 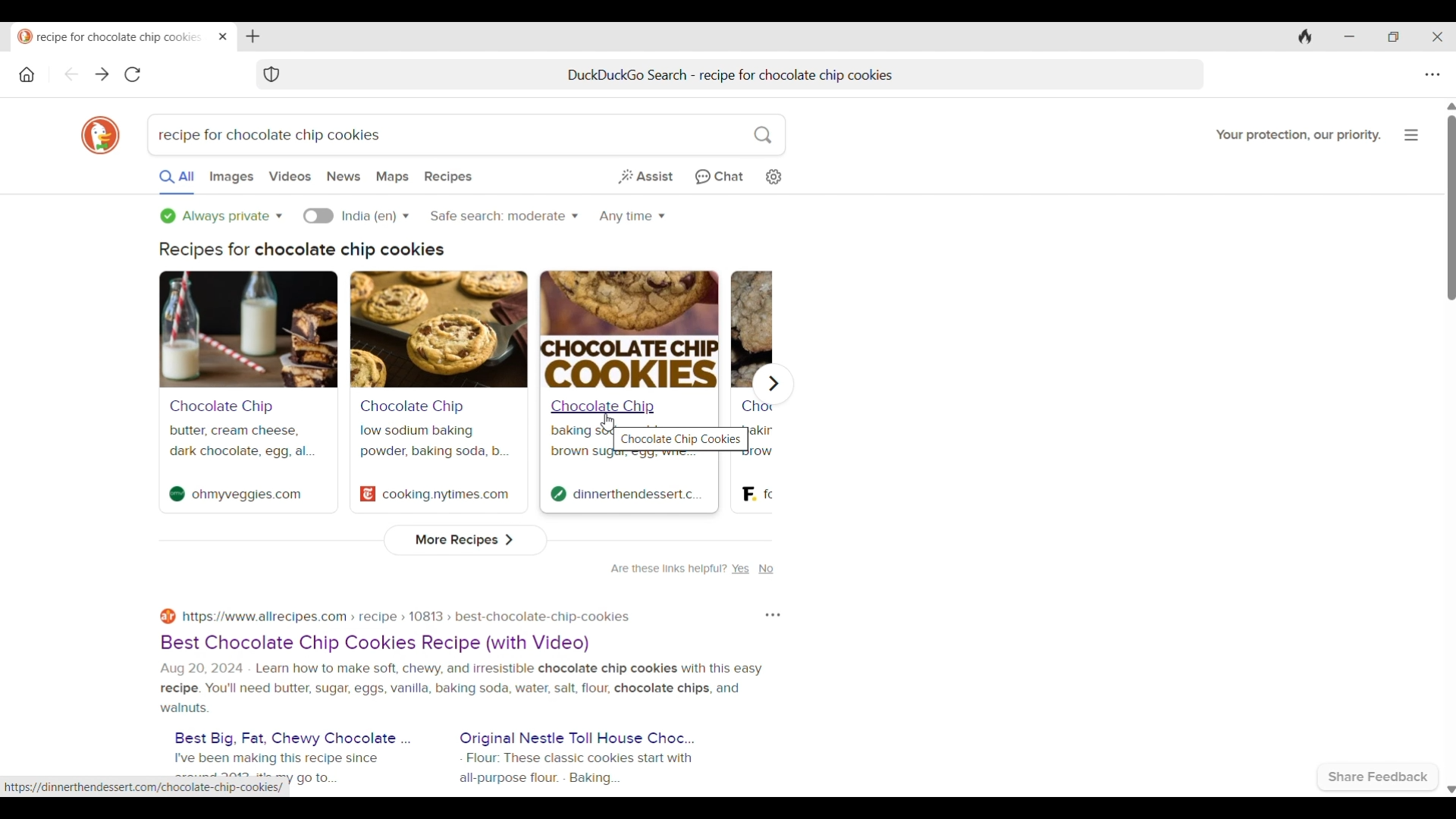 I want to click on Flour: These classic cookies start with
all-purpose flour. - Baking..., so click(x=576, y=770).